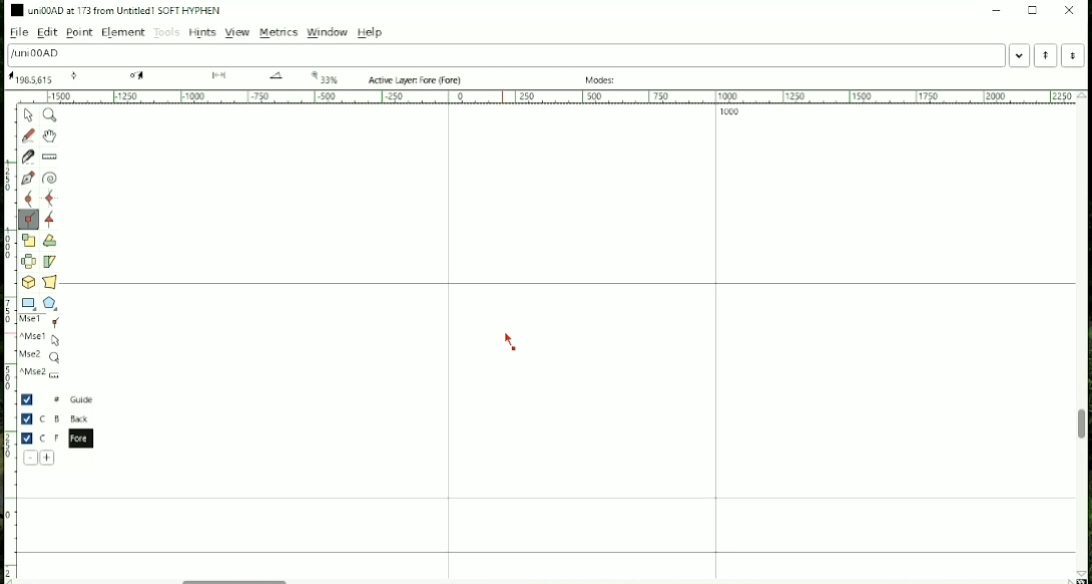 This screenshot has height=584, width=1092. Describe the element at coordinates (547, 97) in the screenshot. I see `Horizontal scale` at that location.